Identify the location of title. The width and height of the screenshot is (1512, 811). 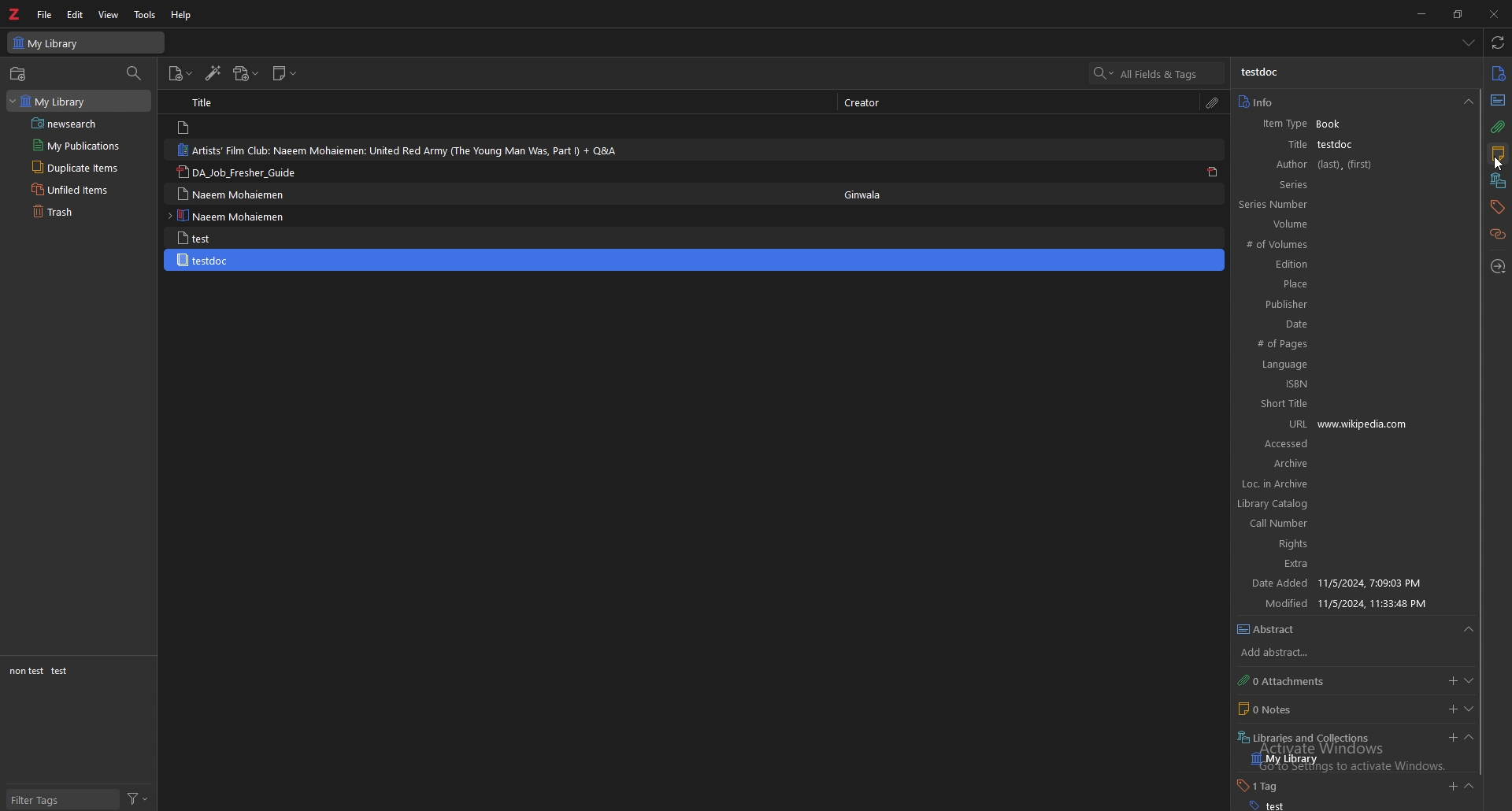
(213, 103).